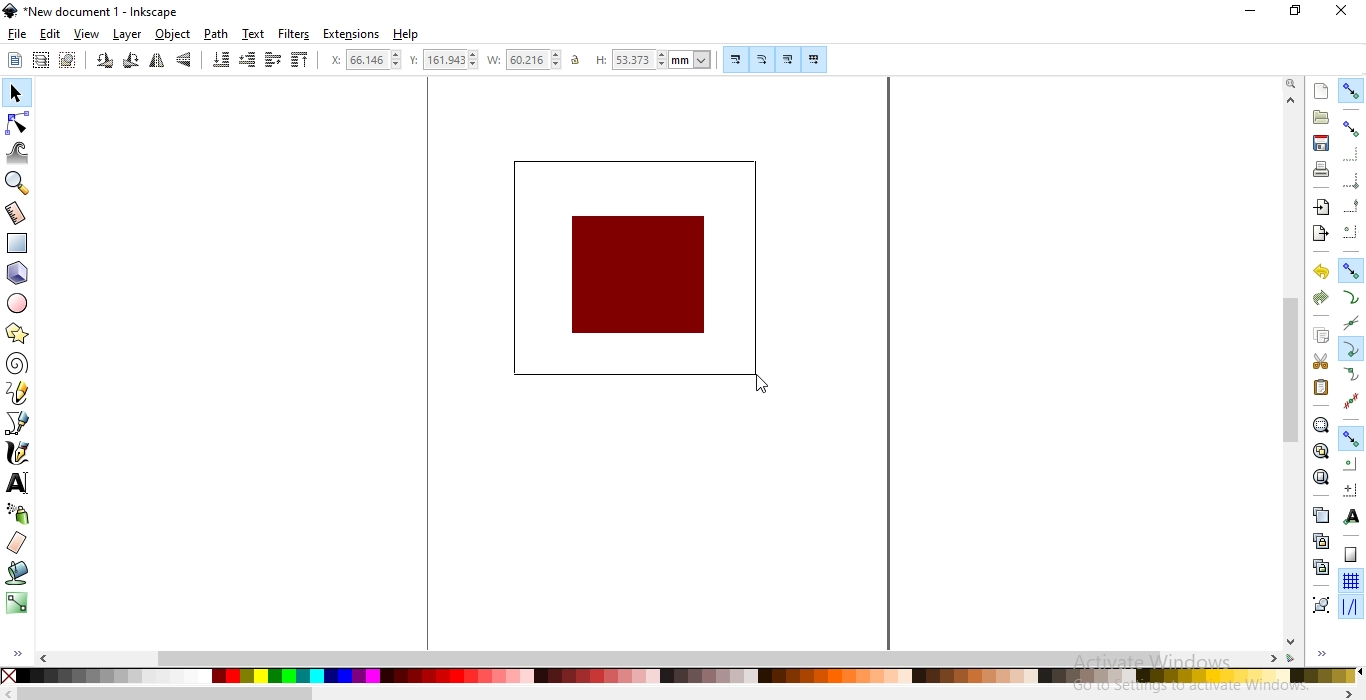 The width and height of the screenshot is (1366, 700). What do you see at coordinates (761, 59) in the screenshot?
I see `scale radii of rounded corners` at bounding box center [761, 59].